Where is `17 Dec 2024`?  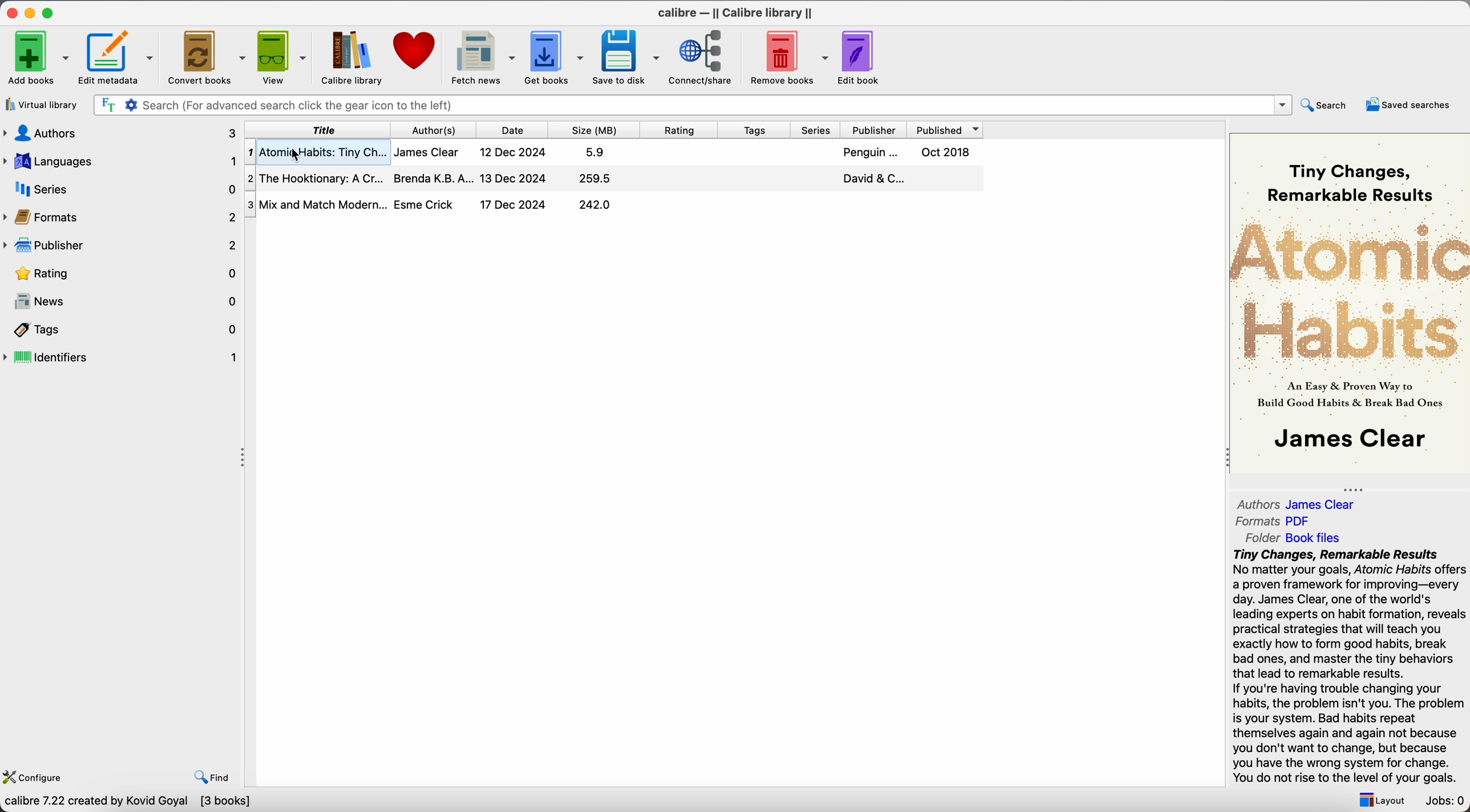
17 Dec 2024 is located at coordinates (513, 204).